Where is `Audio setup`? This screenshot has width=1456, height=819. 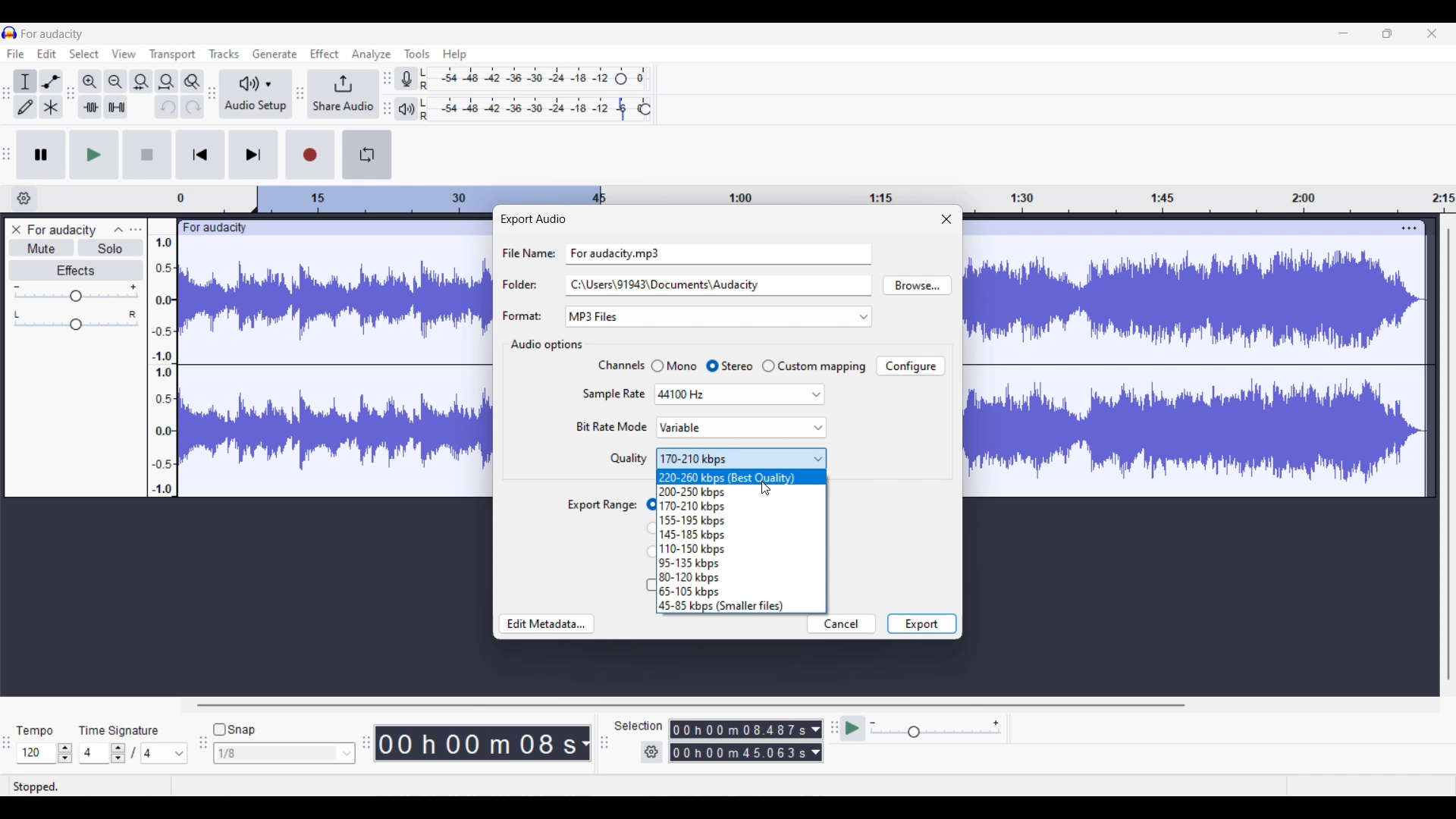
Audio setup is located at coordinates (256, 95).